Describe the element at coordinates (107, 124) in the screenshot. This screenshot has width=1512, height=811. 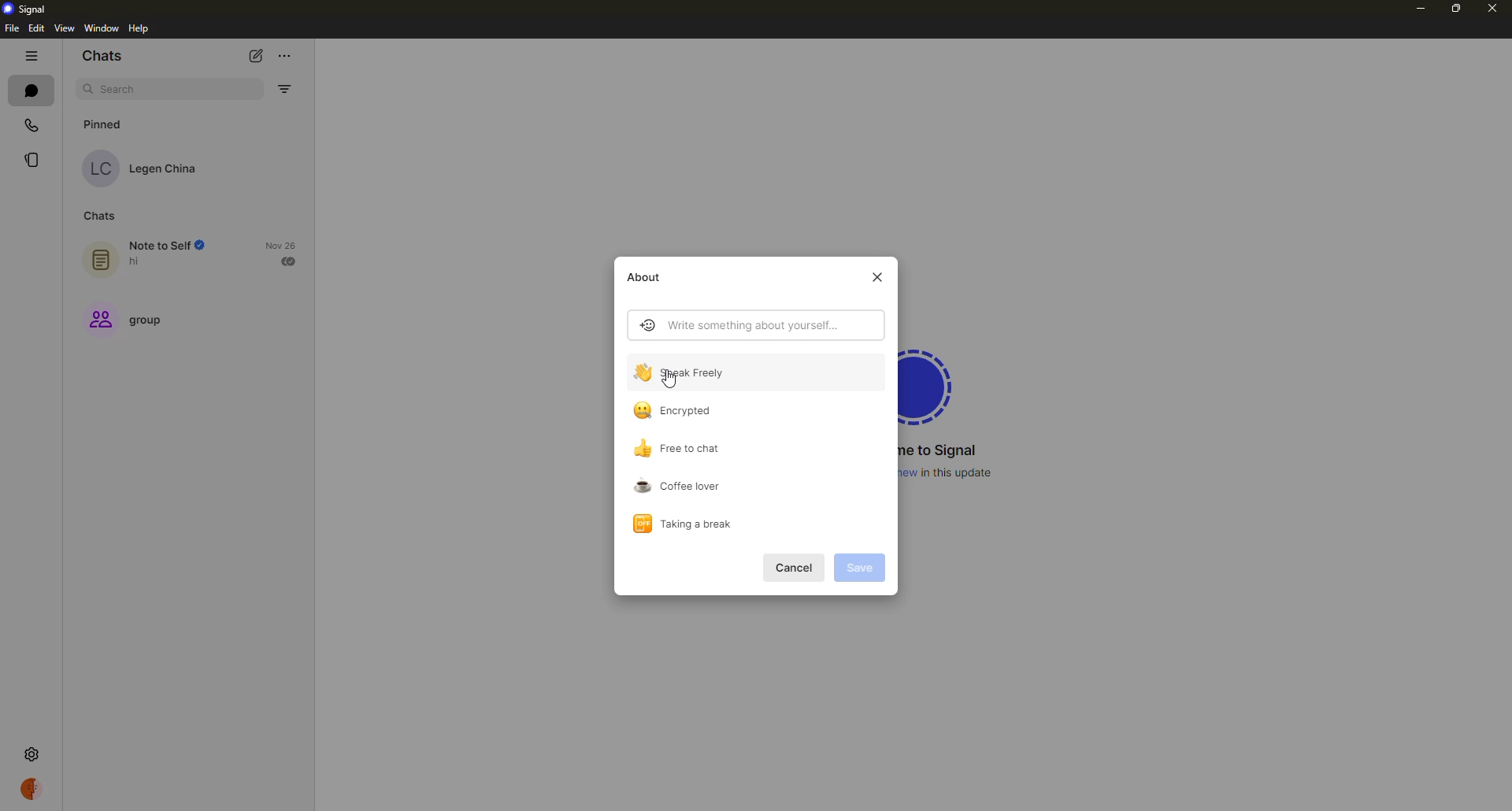
I see `pinned` at that location.